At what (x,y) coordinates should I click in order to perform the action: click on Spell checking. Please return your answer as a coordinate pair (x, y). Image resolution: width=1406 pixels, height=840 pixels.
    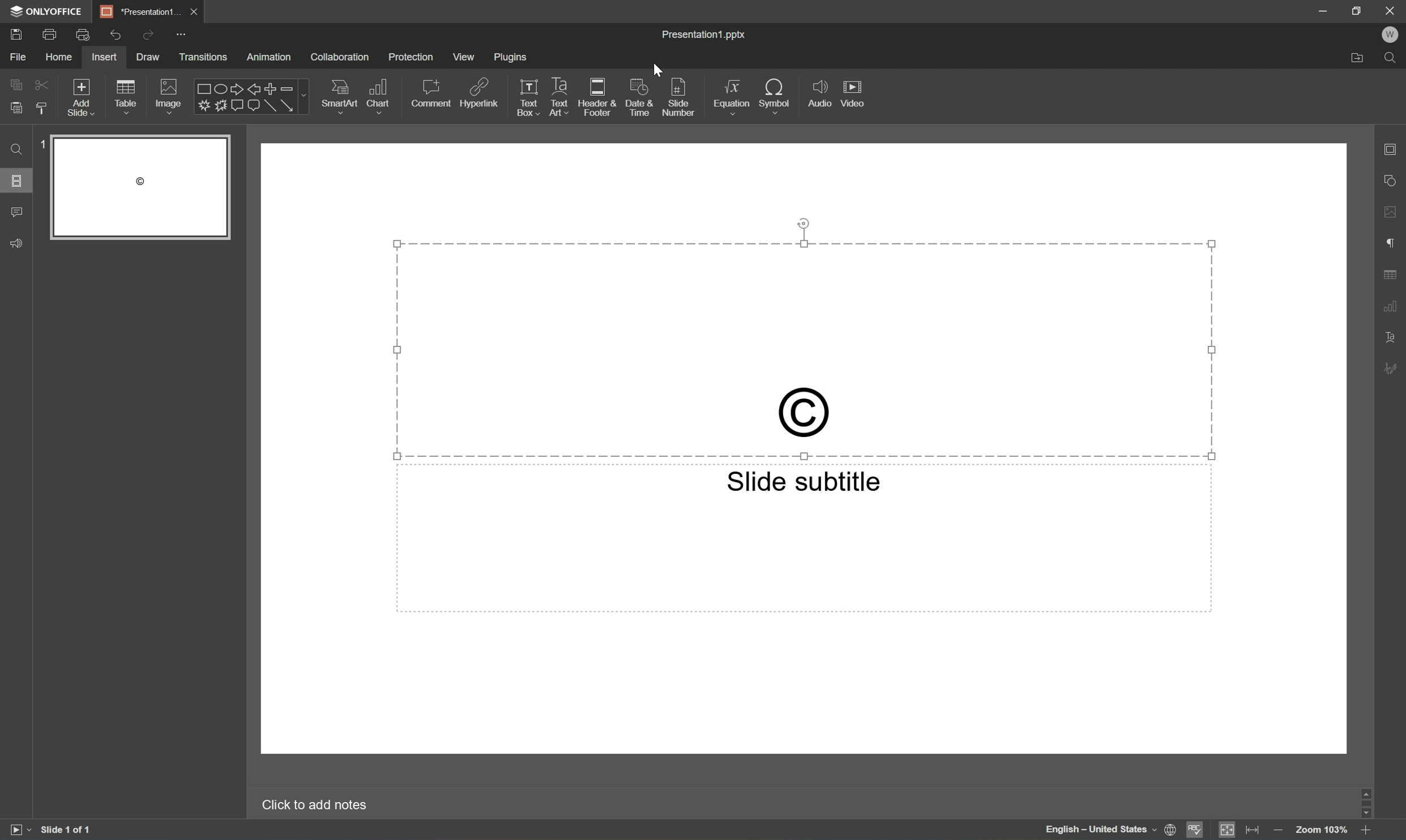
    Looking at the image, I should click on (1198, 830).